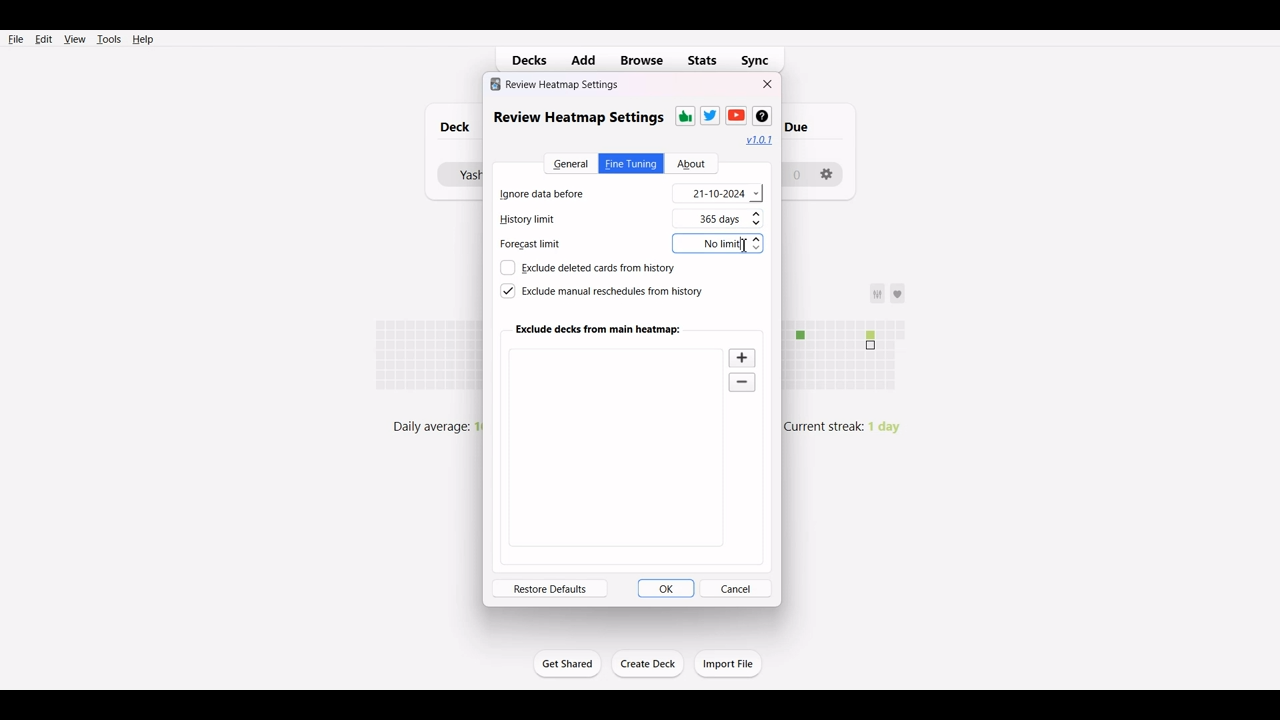  I want to click on Close, so click(768, 84).